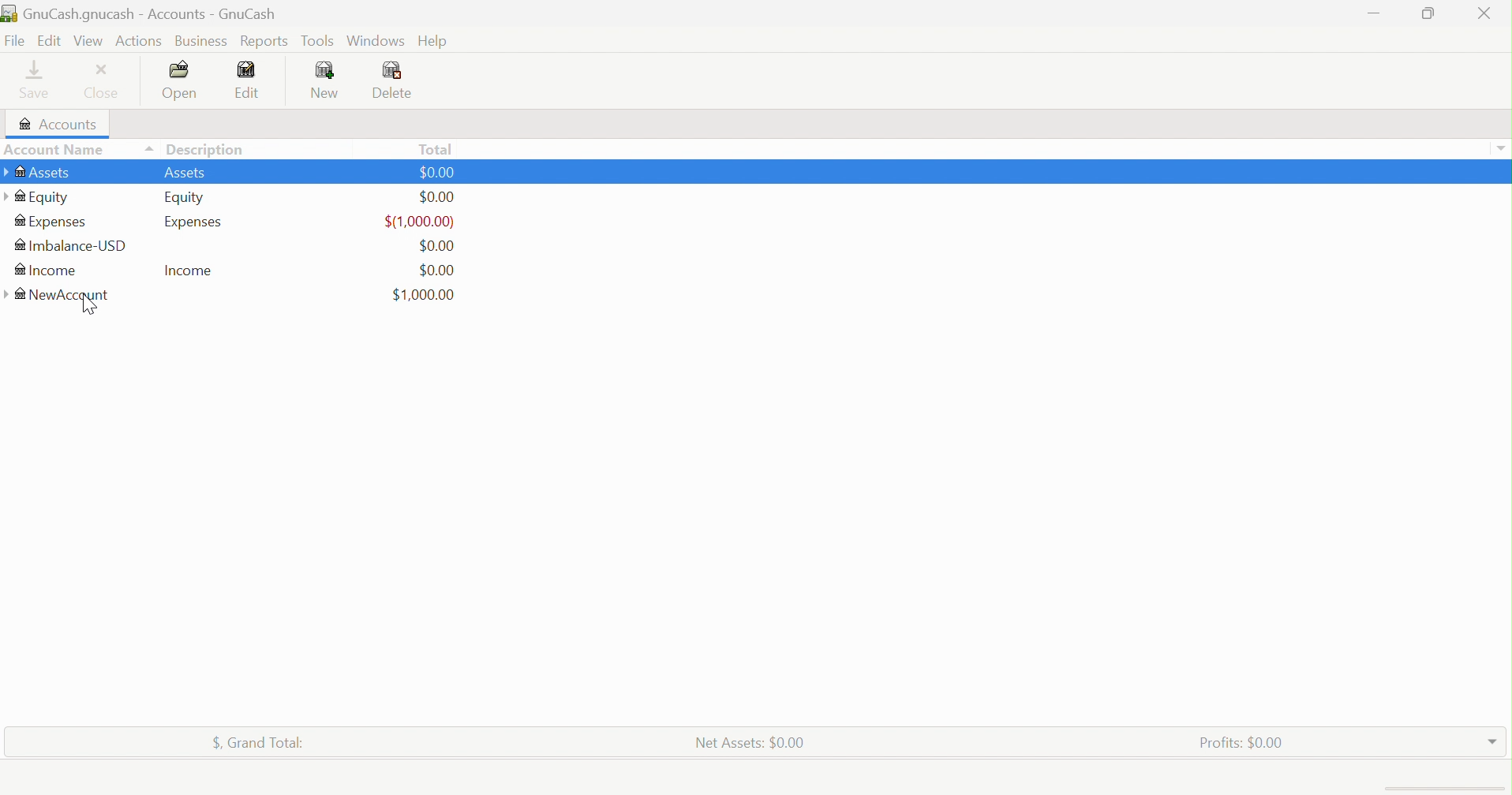 This screenshot has height=795, width=1512. Describe the element at coordinates (326, 80) in the screenshot. I see `New` at that location.